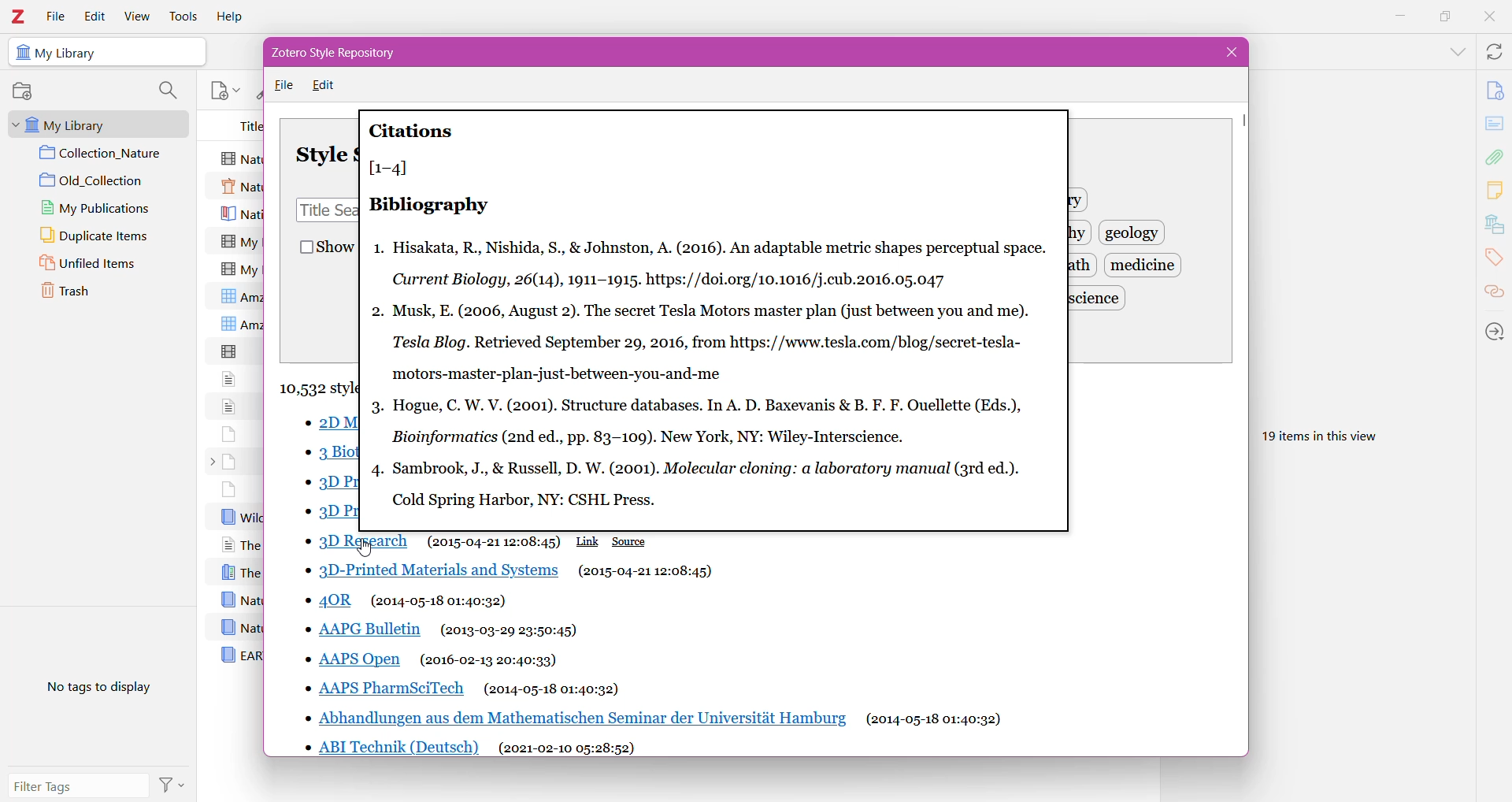 The width and height of the screenshot is (1512, 802). I want to click on Sambrook, J., & Russell, D. W. (2001). Molecular cloning: a laboratory manual (3rd ed.). Cold Spring Harbor, NY: CSHL Press., so click(713, 484).